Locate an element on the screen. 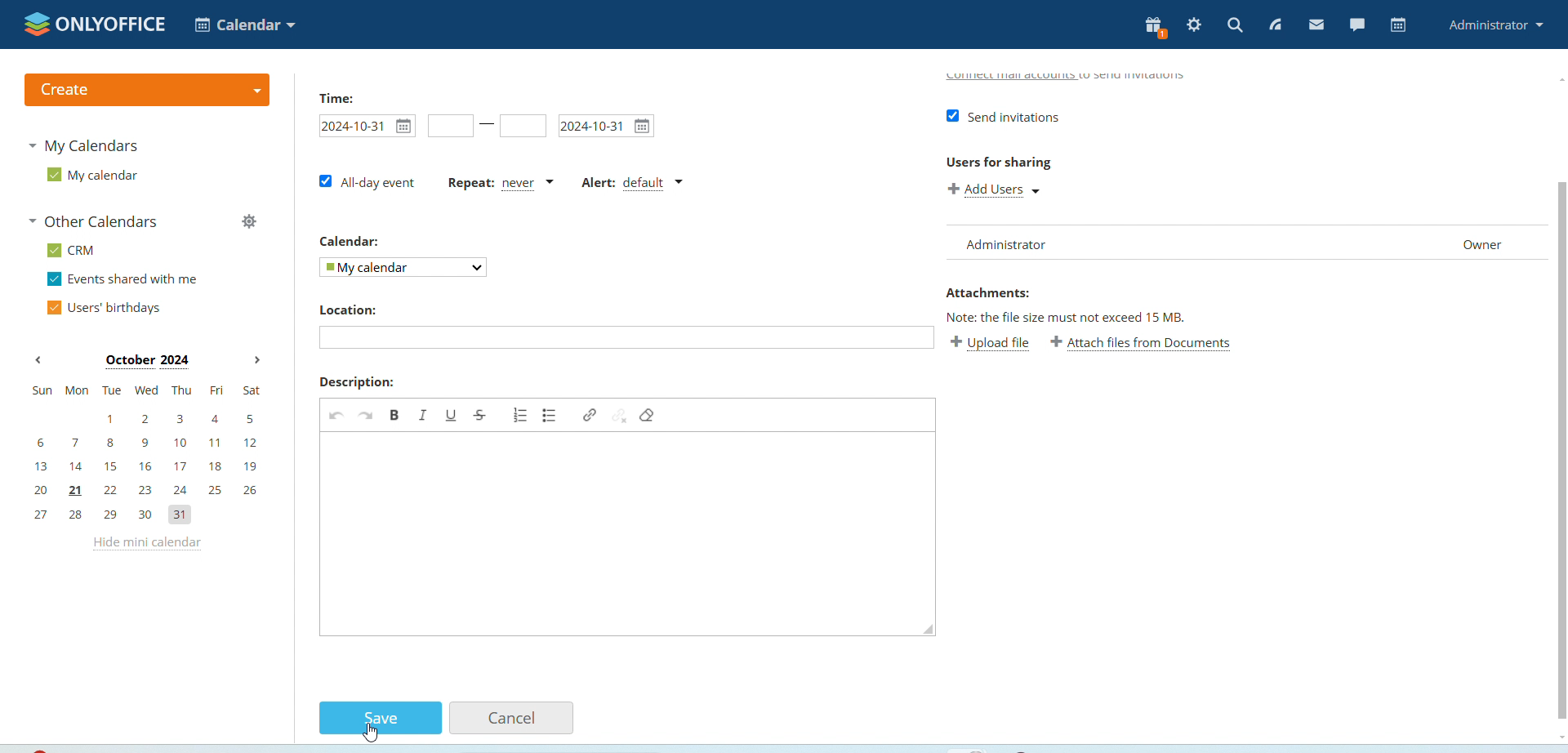 The width and height of the screenshot is (1568, 753). Remove format is located at coordinates (648, 415).